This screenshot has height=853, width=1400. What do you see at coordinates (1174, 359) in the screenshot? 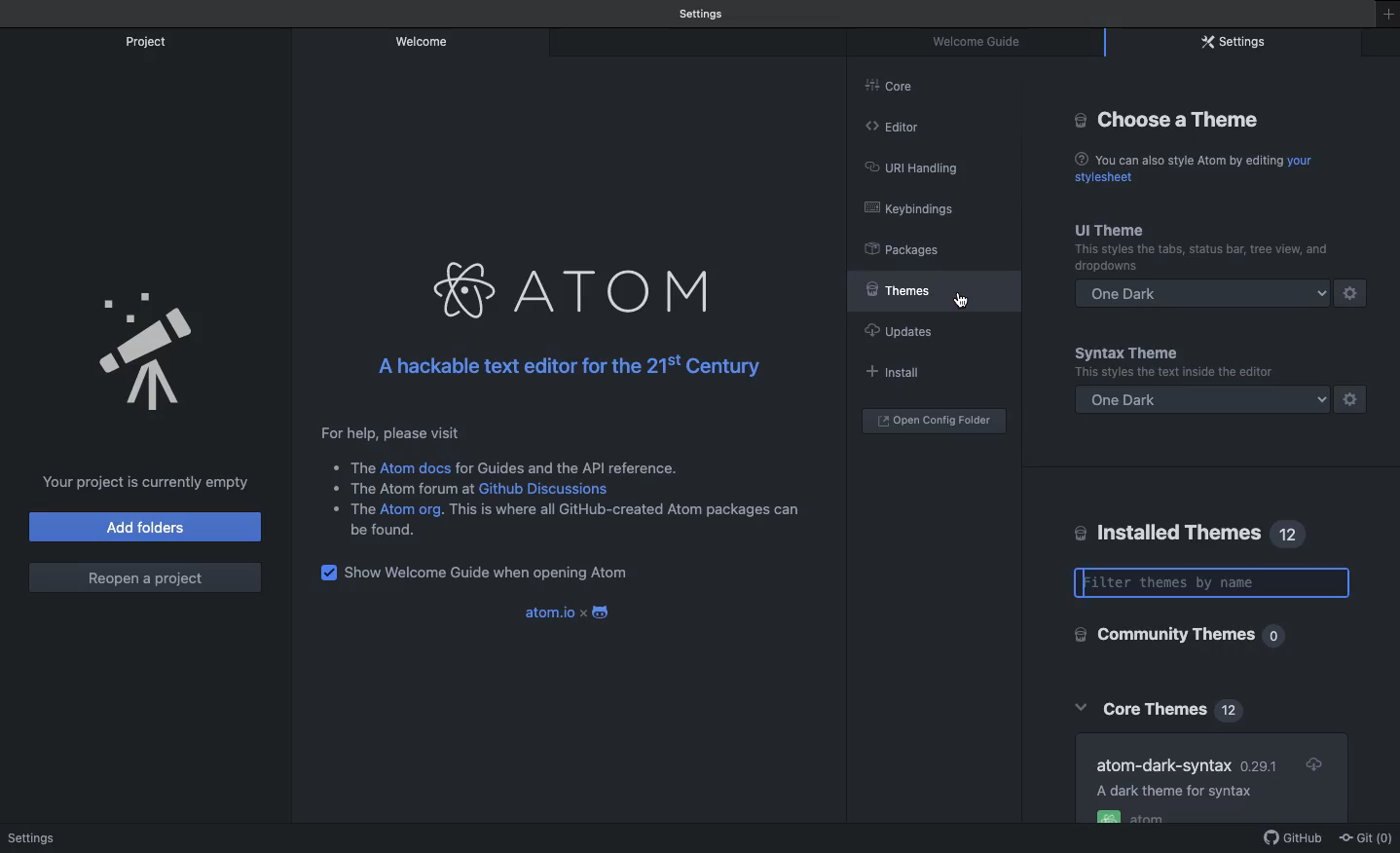
I see `Syntax theme` at bounding box center [1174, 359].